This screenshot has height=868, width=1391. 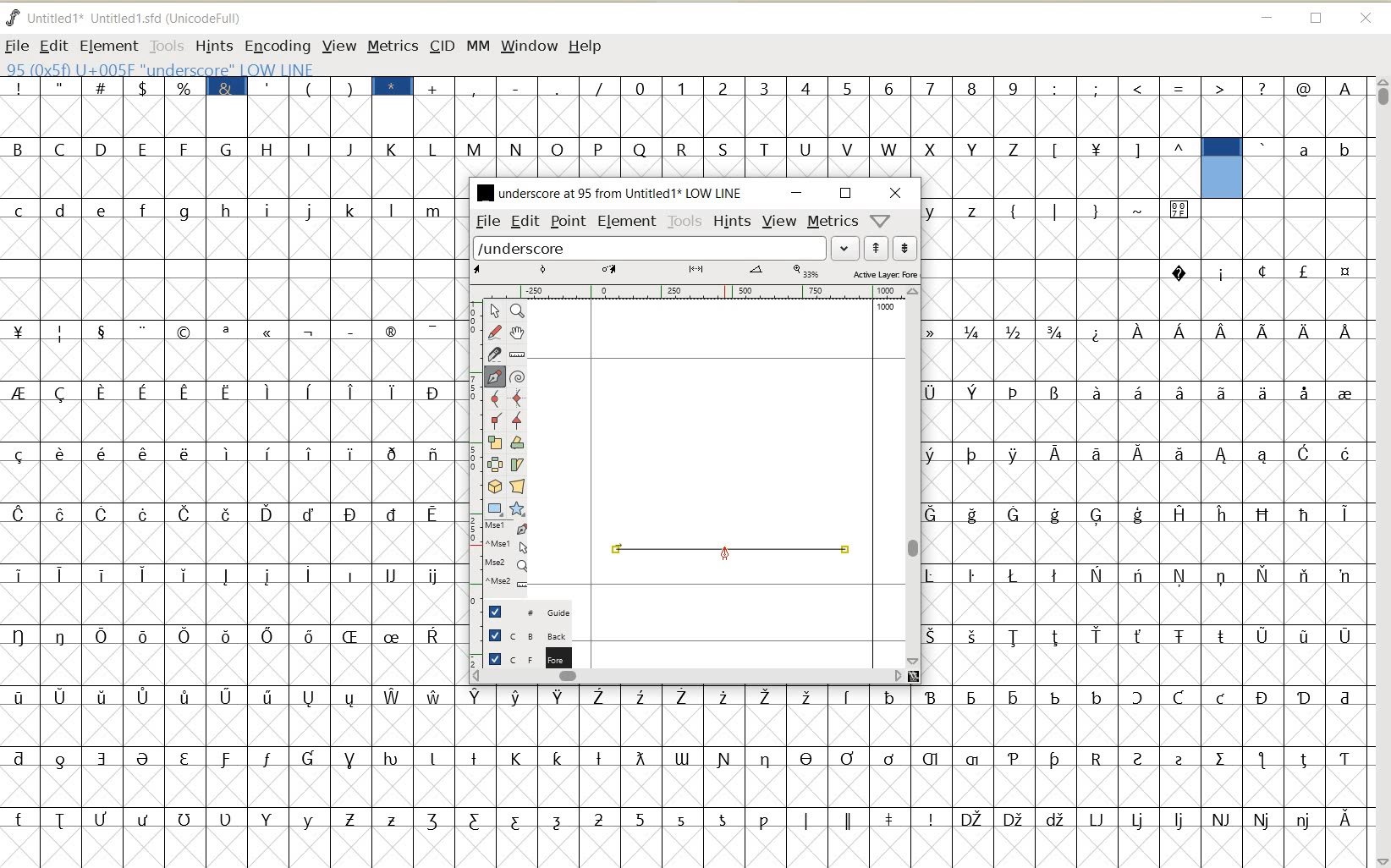 I want to click on SCROLLBAR, so click(x=687, y=675).